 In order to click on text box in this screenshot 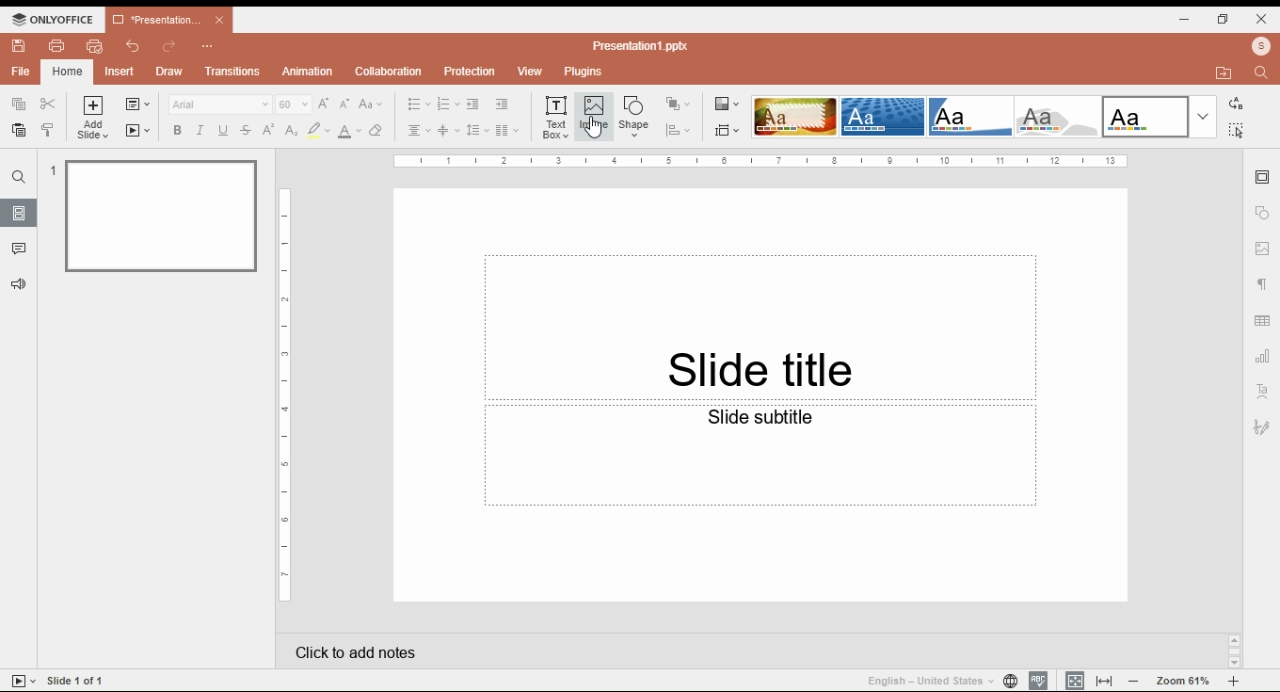, I will do `click(759, 325)`.